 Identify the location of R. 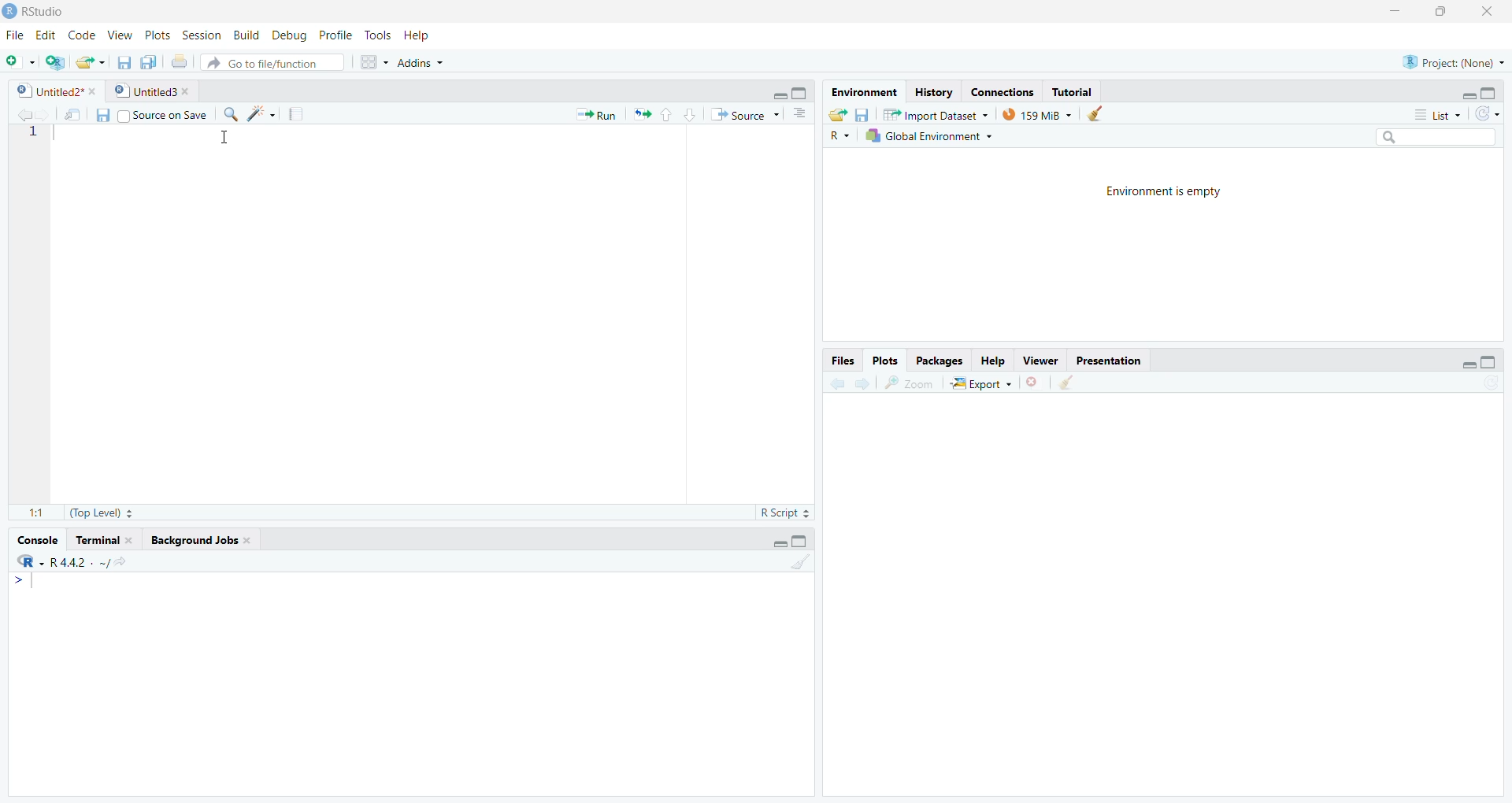
(31, 562).